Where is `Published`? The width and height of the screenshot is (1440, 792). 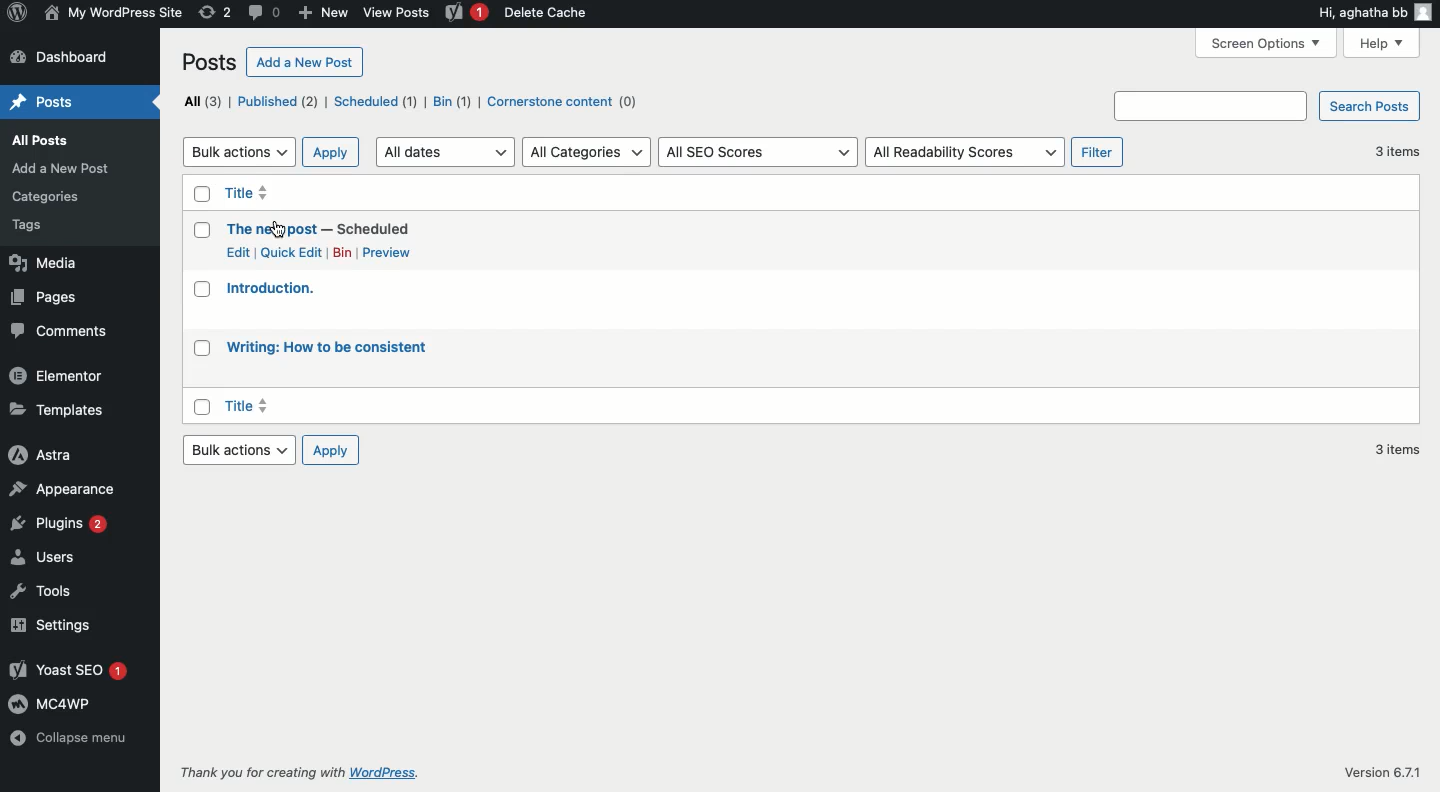
Published is located at coordinates (272, 101).